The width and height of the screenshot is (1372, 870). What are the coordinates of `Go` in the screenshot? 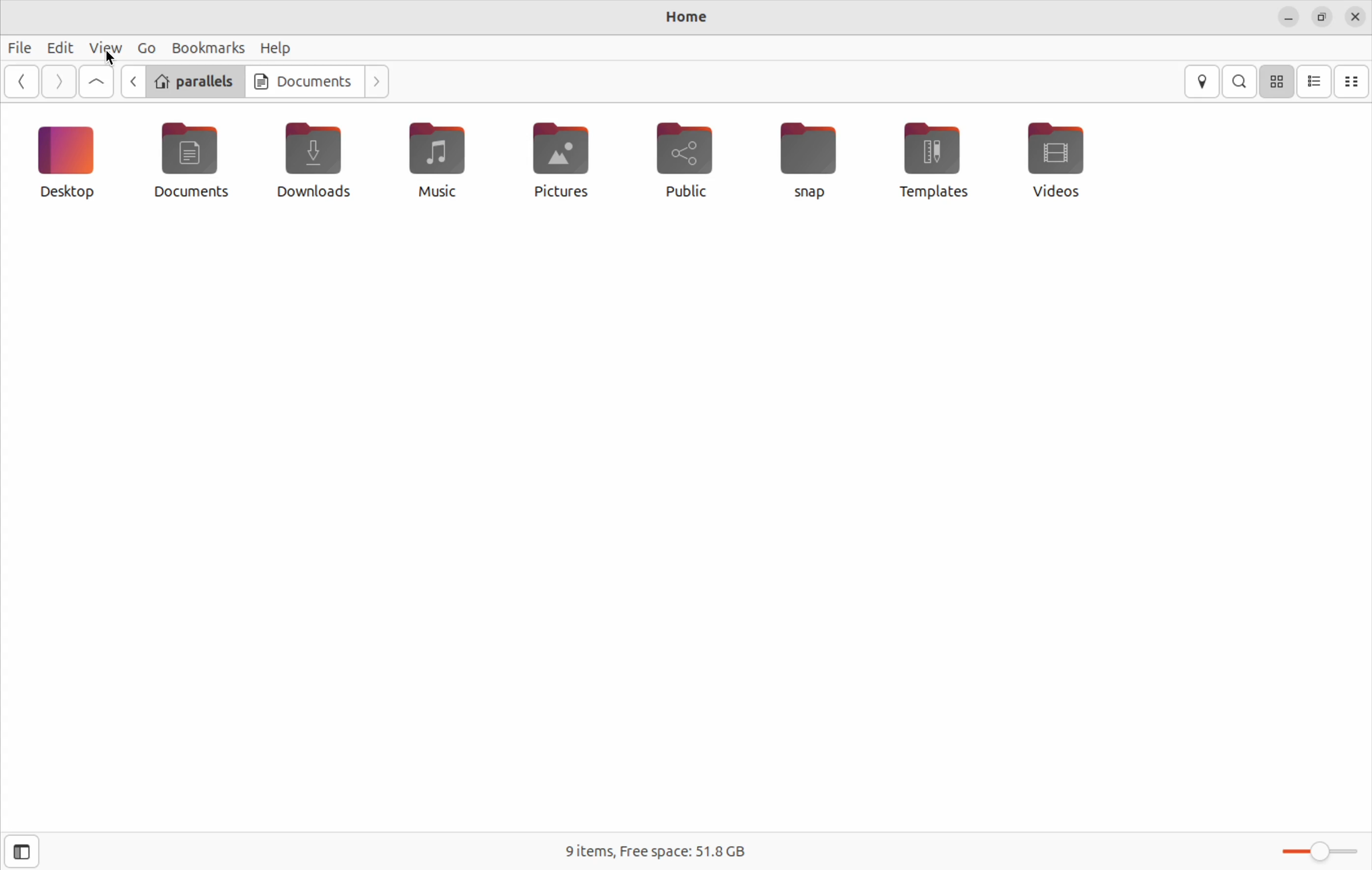 It's located at (145, 47).